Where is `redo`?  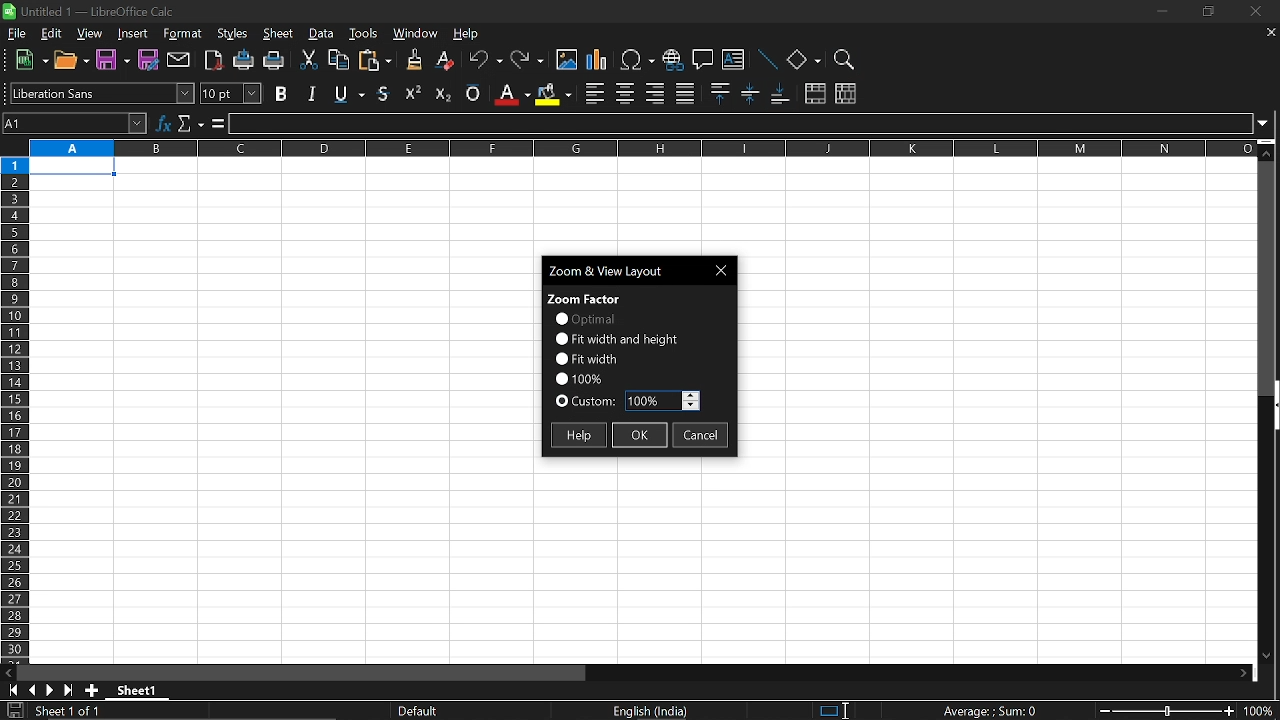
redo is located at coordinates (528, 61).